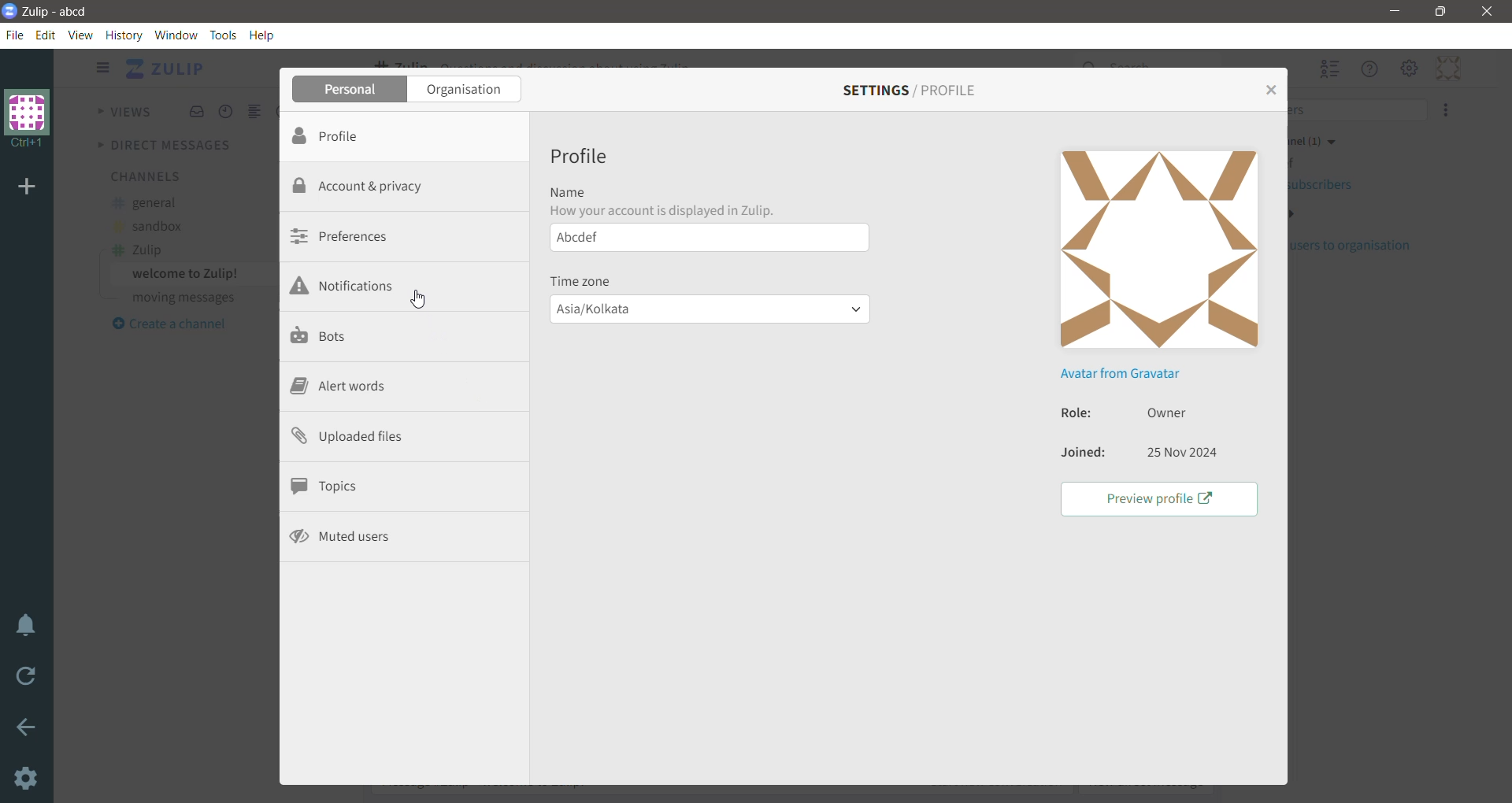 Image resolution: width=1512 pixels, height=803 pixels. I want to click on Preferences, so click(347, 235).